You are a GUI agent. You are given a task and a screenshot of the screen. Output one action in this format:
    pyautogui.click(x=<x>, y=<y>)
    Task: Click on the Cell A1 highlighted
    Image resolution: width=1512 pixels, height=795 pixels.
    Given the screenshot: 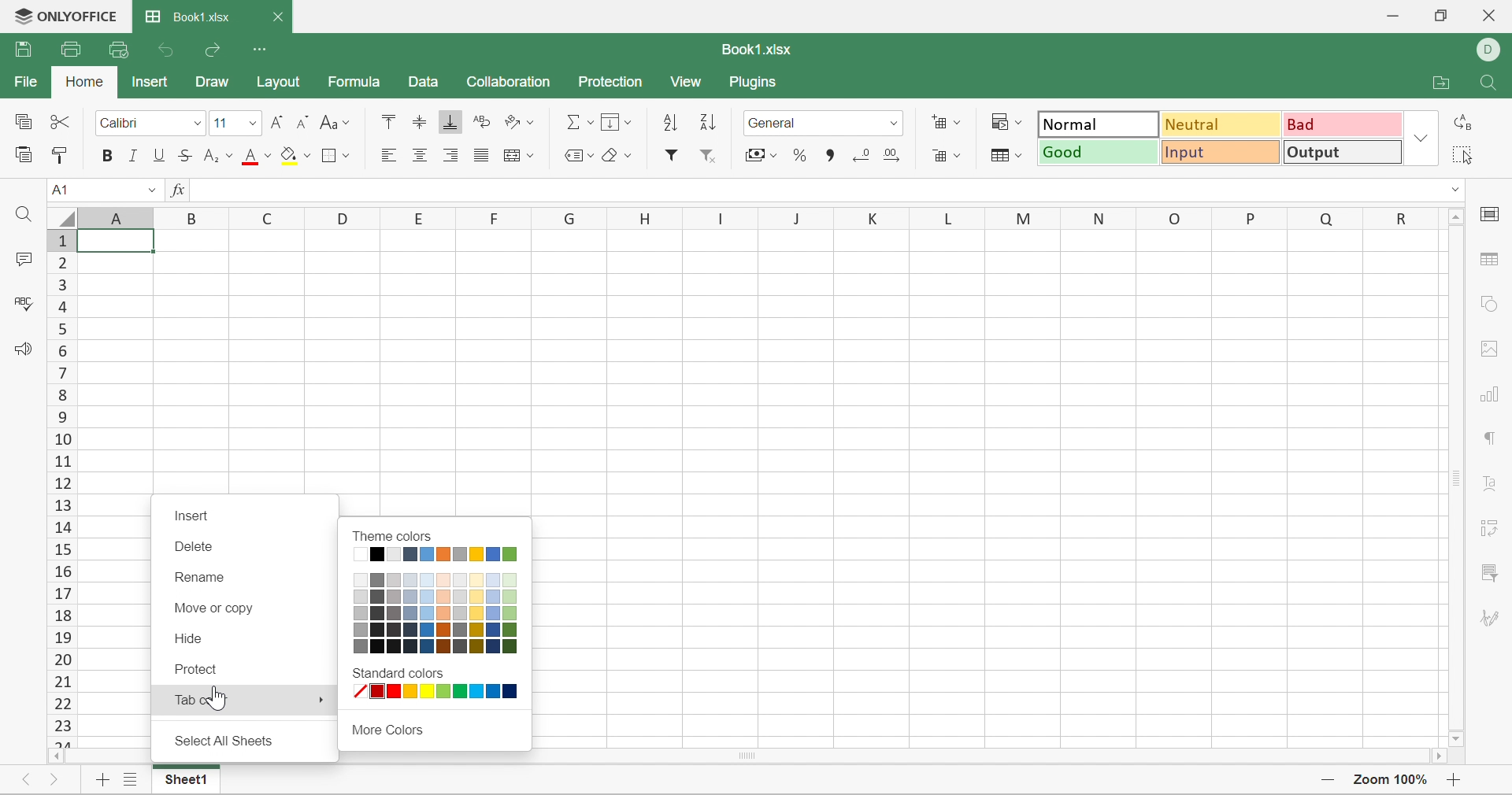 What is the action you would take?
    pyautogui.click(x=120, y=241)
    